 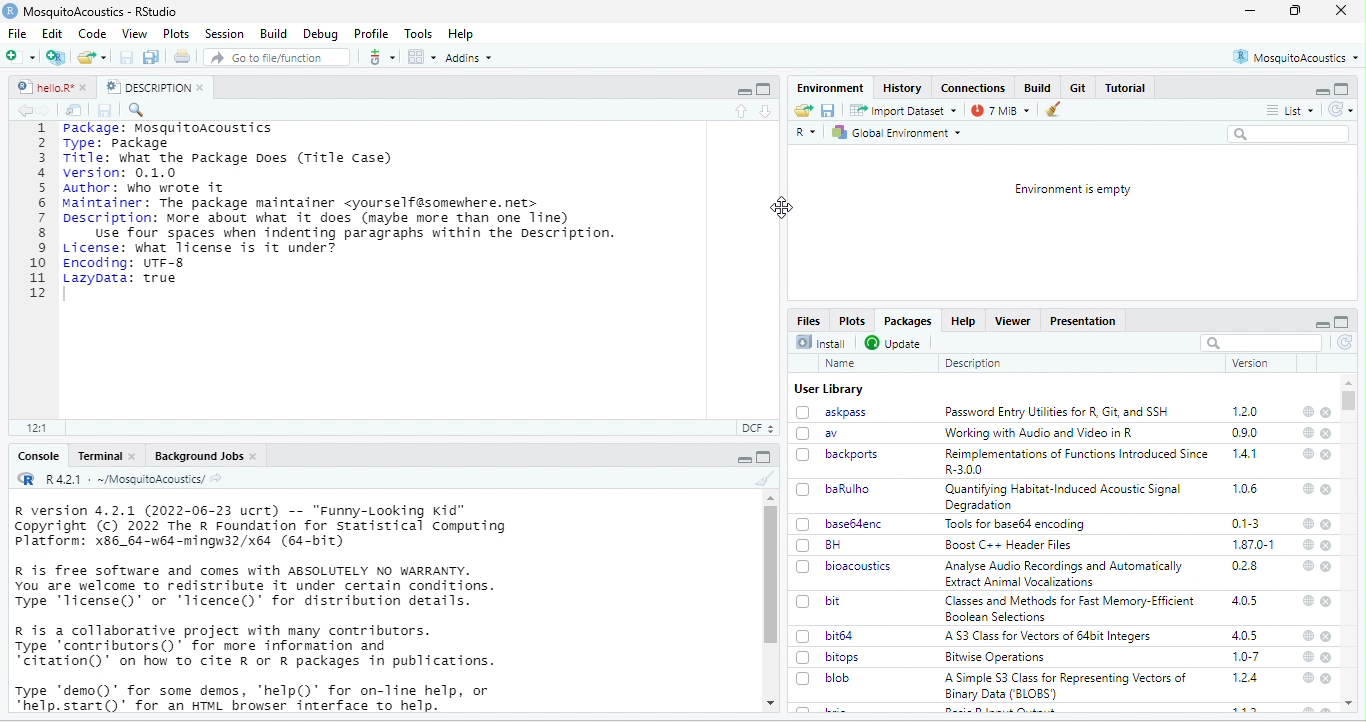 What do you see at coordinates (381, 56) in the screenshot?
I see `more options` at bounding box center [381, 56].